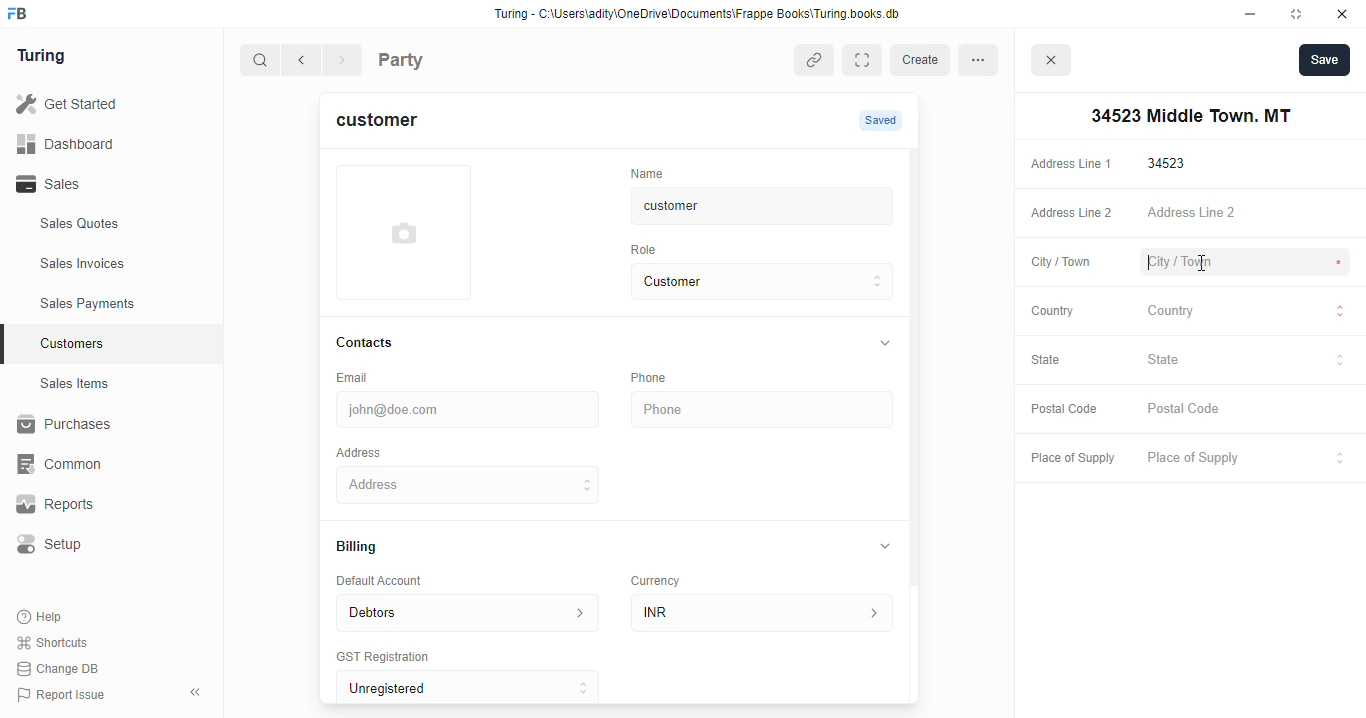 Image resolution: width=1366 pixels, height=718 pixels. What do you see at coordinates (384, 343) in the screenshot?
I see `Contacts` at bounding box center [384, 343].